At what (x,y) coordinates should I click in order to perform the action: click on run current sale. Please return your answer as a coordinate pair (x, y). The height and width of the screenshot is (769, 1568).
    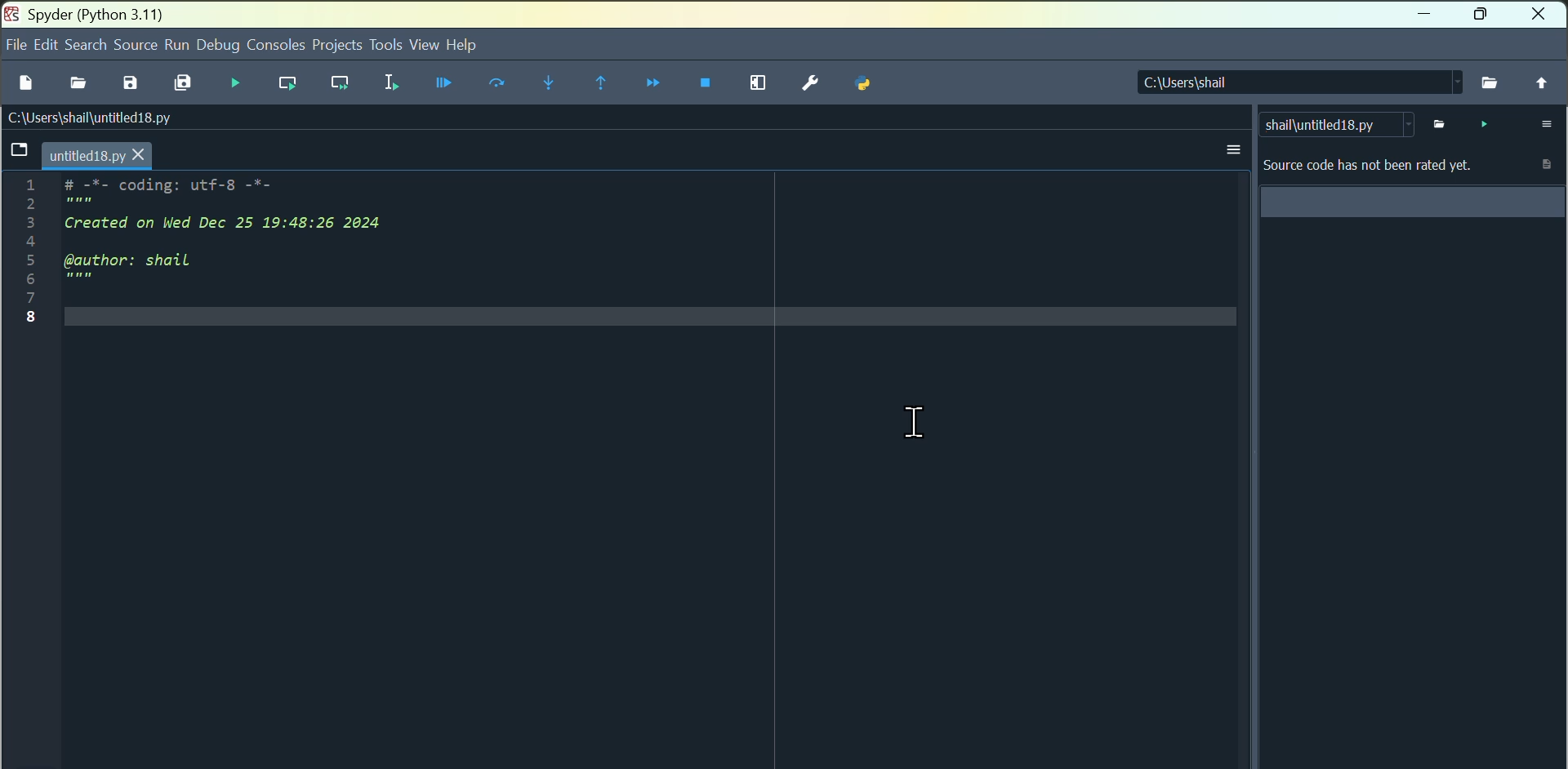
    Looking at the image, I should click on (292, 88).